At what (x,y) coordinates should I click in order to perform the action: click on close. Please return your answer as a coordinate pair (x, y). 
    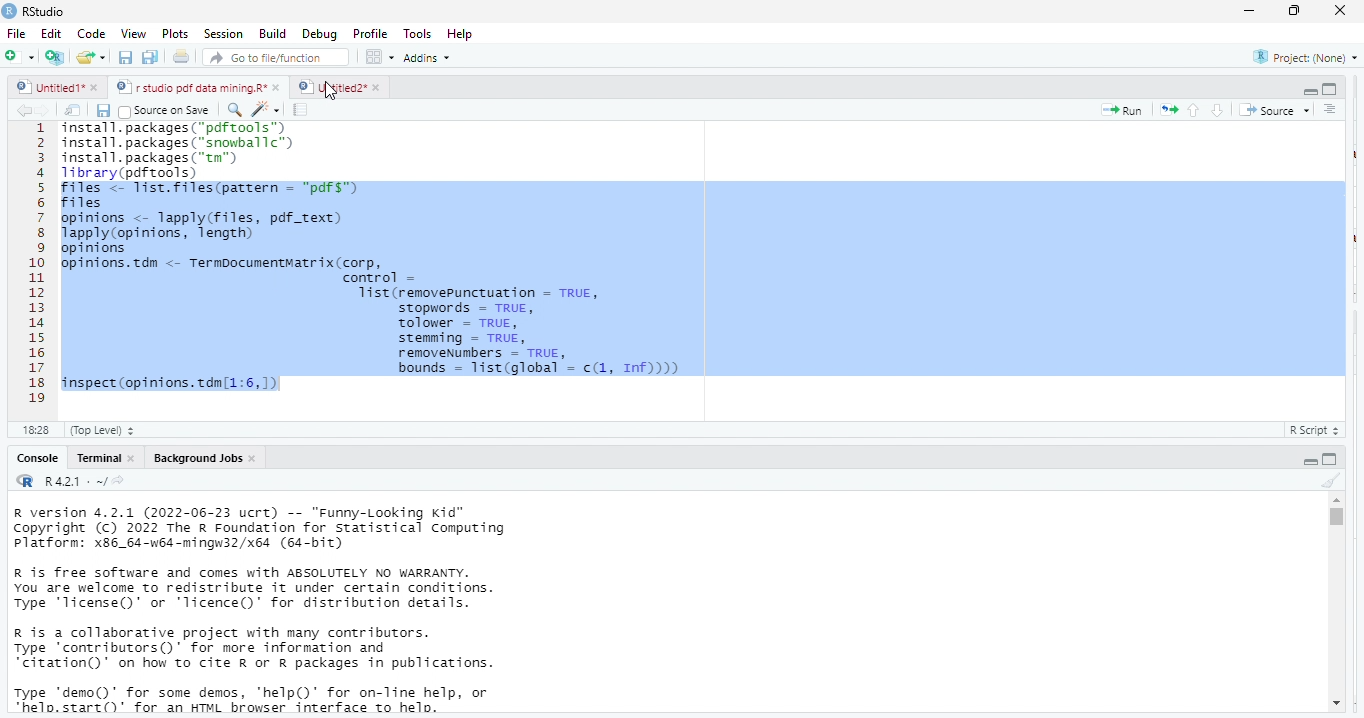
    Looking at the image, I should click on (376, 87).